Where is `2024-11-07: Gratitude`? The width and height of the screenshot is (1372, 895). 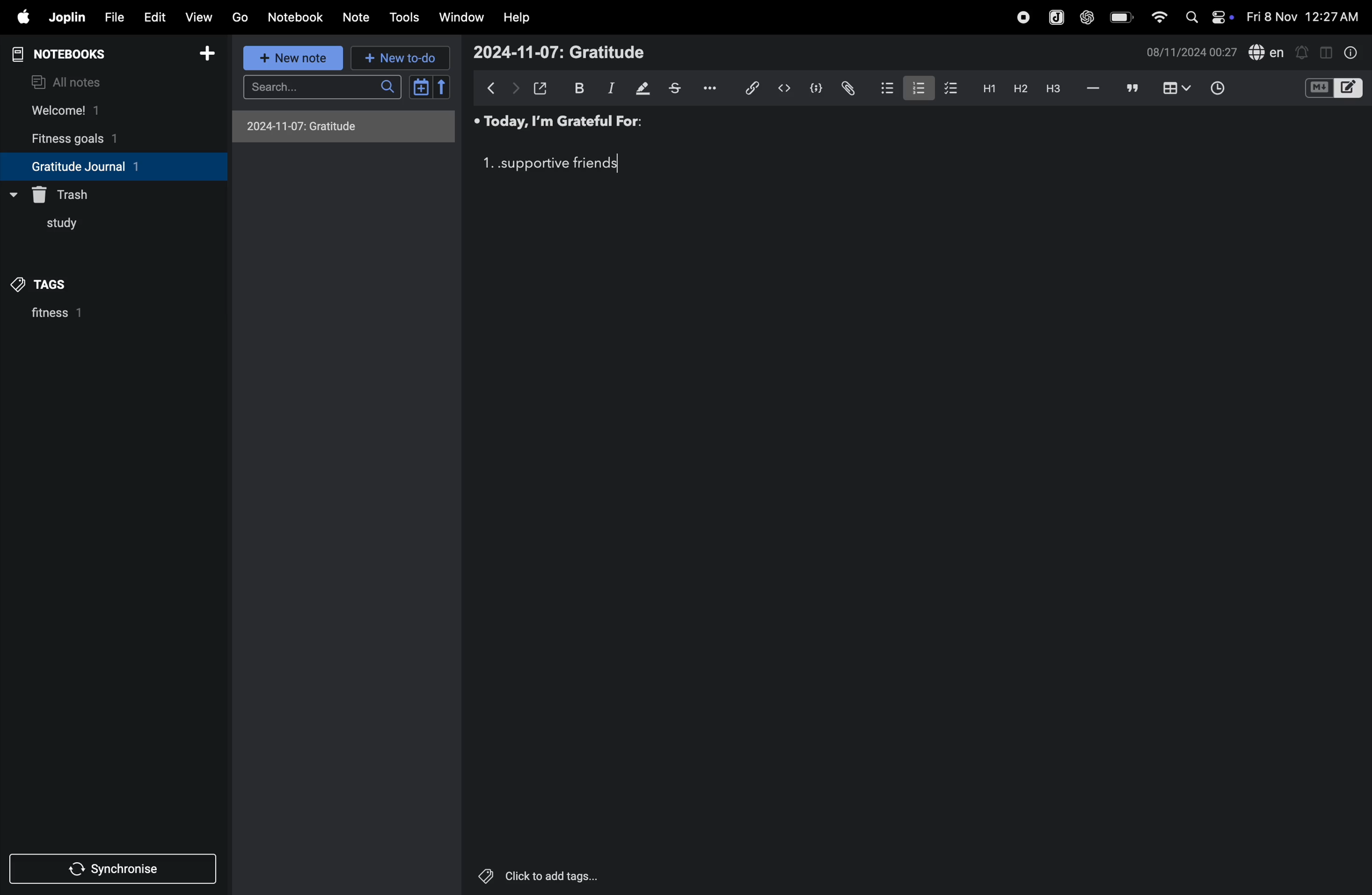
2024-11-07: Gratitude is located at coordinates (344, 125).